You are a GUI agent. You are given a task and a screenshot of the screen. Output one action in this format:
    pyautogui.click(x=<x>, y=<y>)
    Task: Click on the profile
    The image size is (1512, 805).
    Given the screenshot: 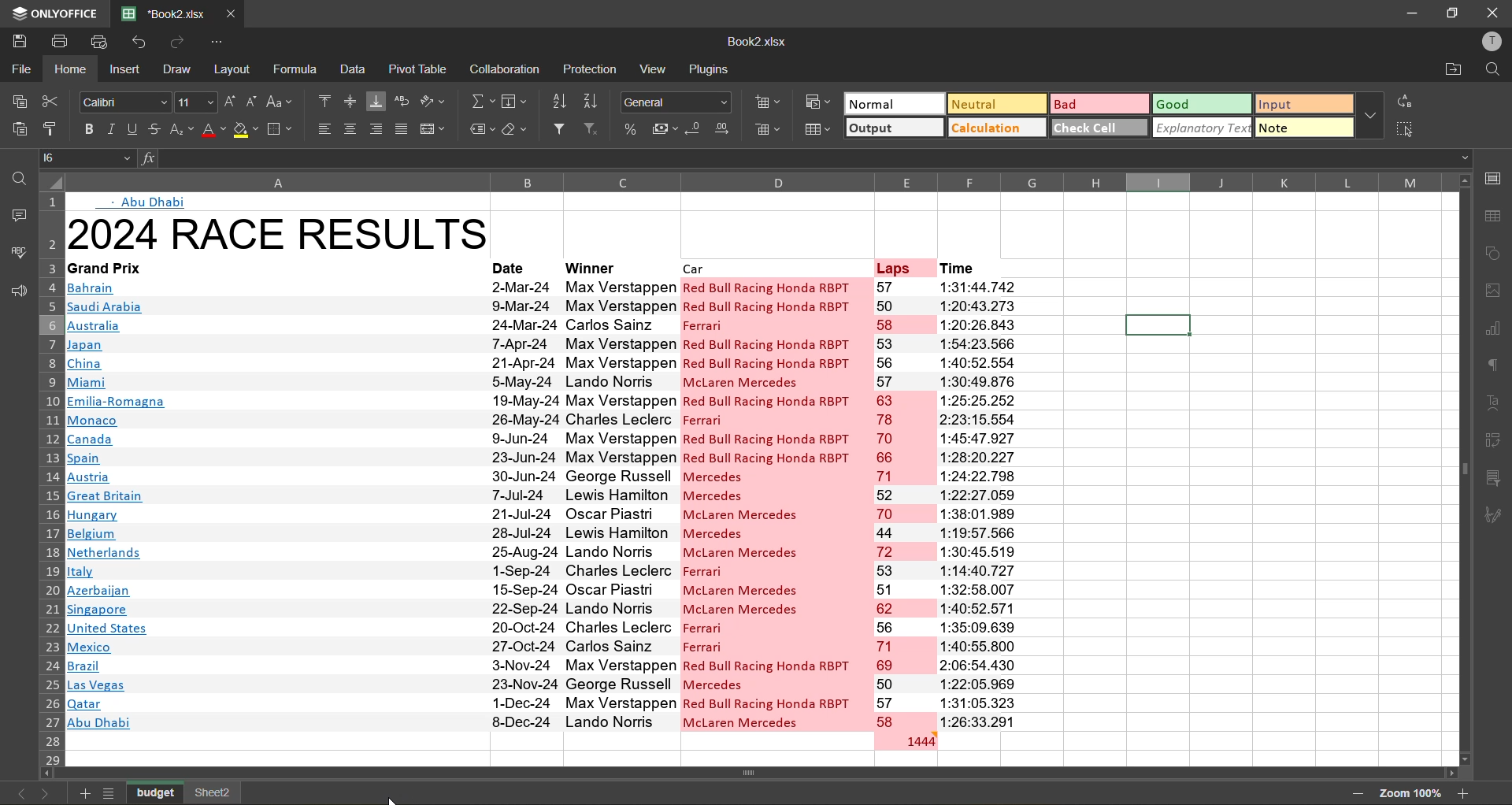 What is the action you would take?
    pyautogui.click(x=1489, y=44)
    